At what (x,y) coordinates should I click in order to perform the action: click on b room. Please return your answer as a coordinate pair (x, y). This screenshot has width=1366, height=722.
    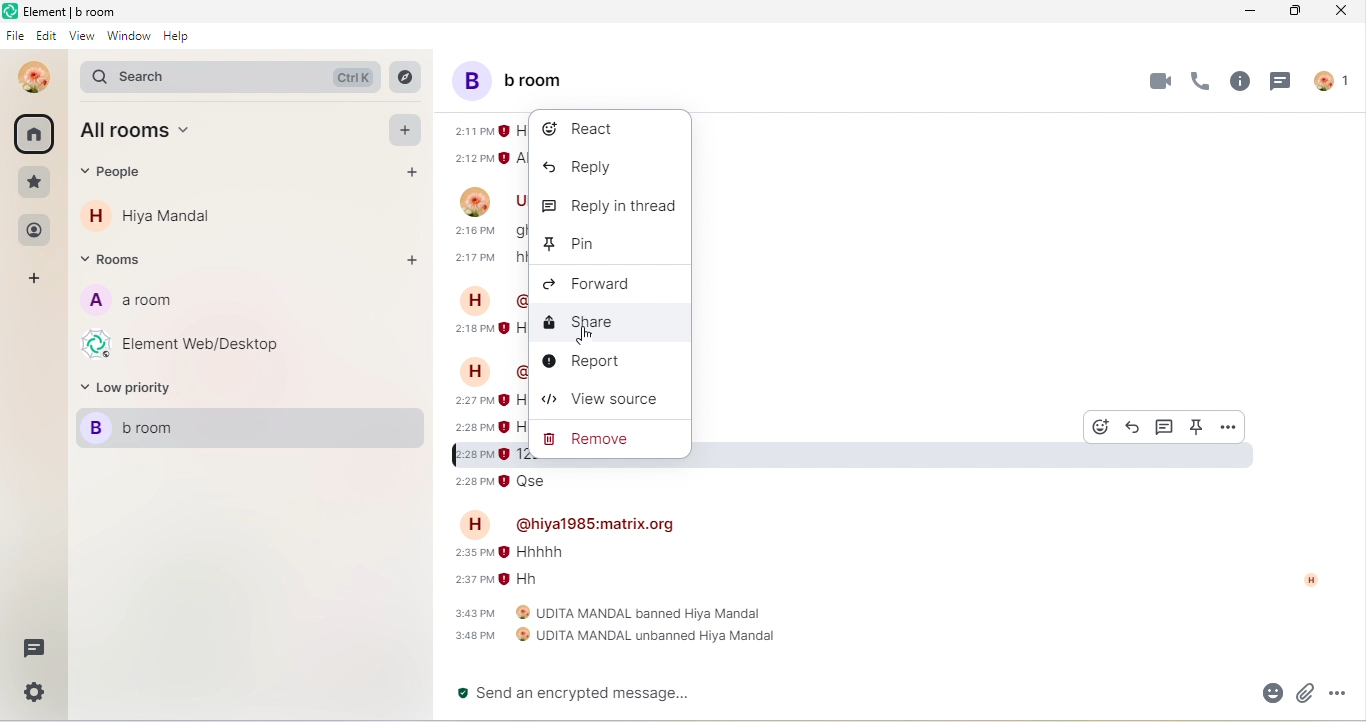
    Looking at the image, I should click on (518, 80).